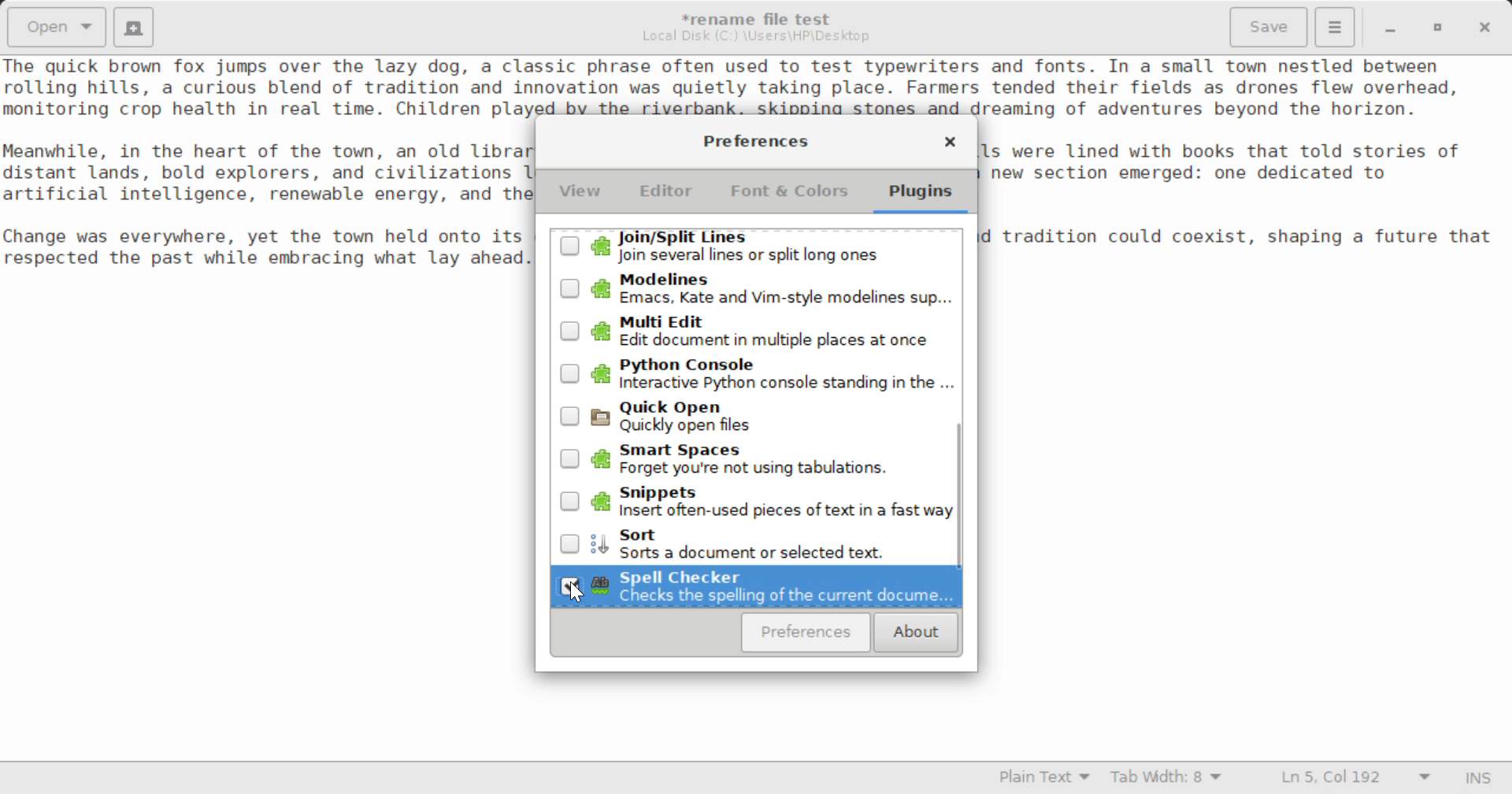 This screenshot has width=1512, height=794. I want to click on Preferences Setting Window Heading, so click(755, 141).